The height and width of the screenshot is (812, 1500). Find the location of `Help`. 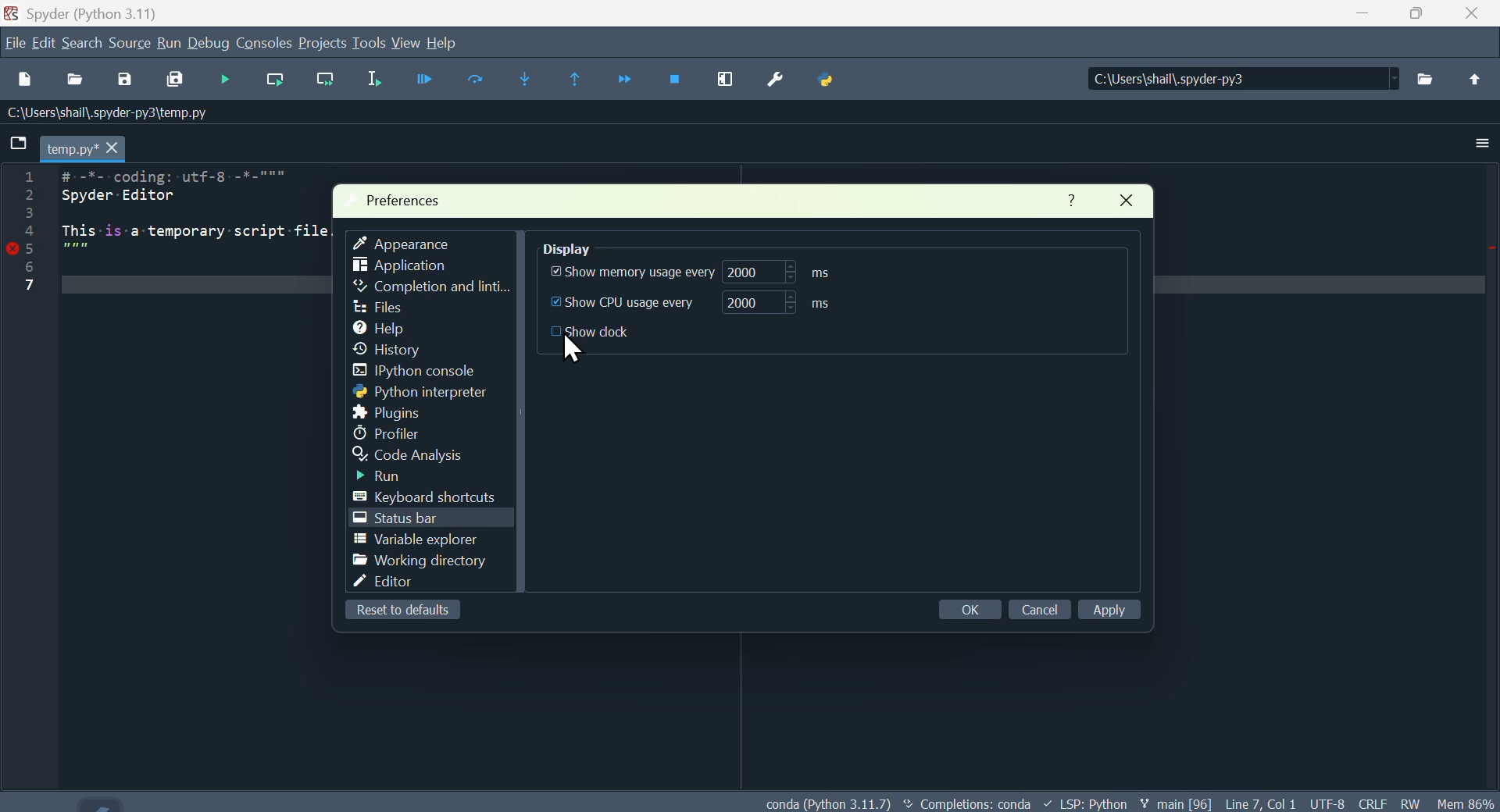

Help is located at coordinates (1066, 198).